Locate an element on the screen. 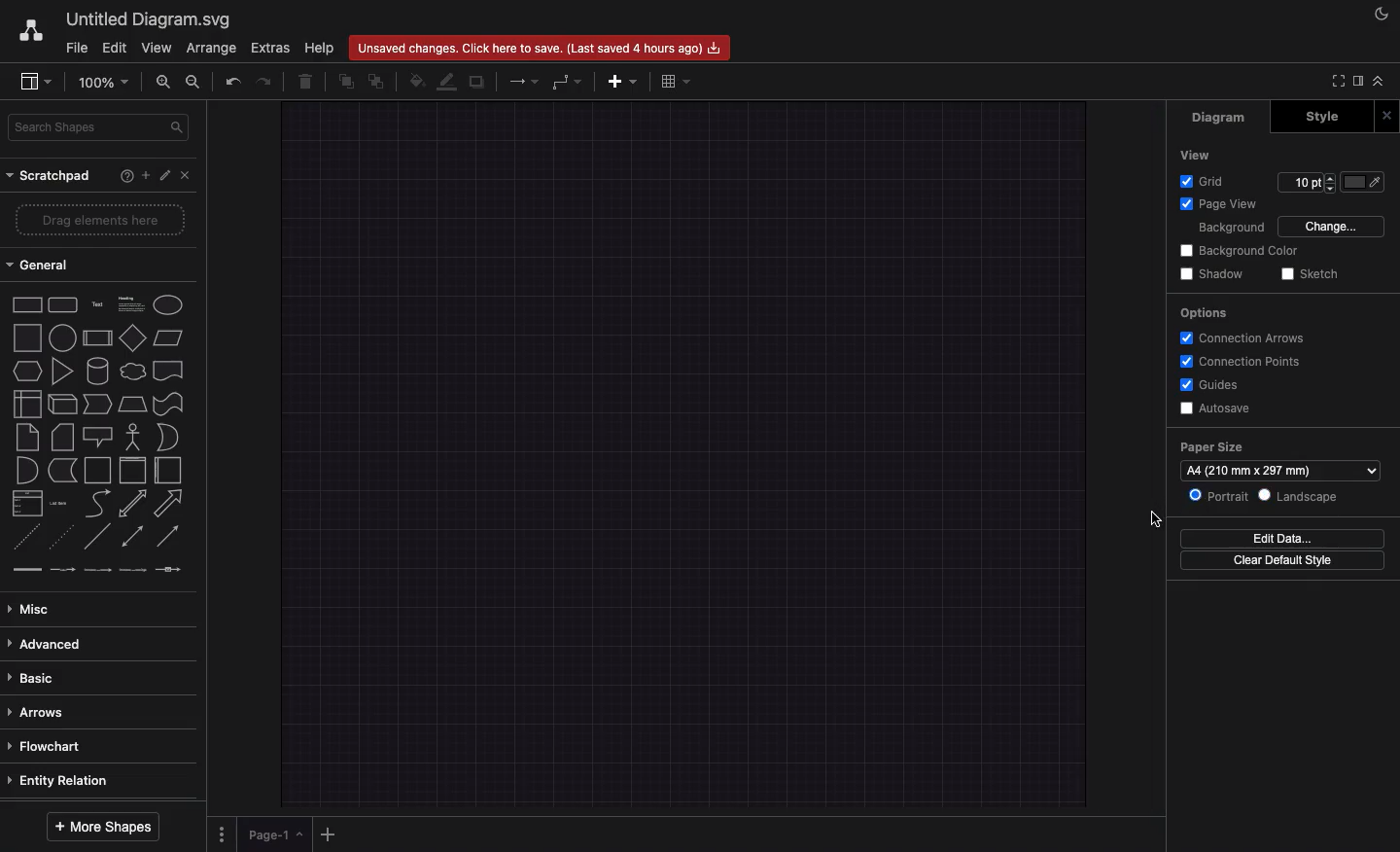  Paper size is located at coordinates (1280, 456).